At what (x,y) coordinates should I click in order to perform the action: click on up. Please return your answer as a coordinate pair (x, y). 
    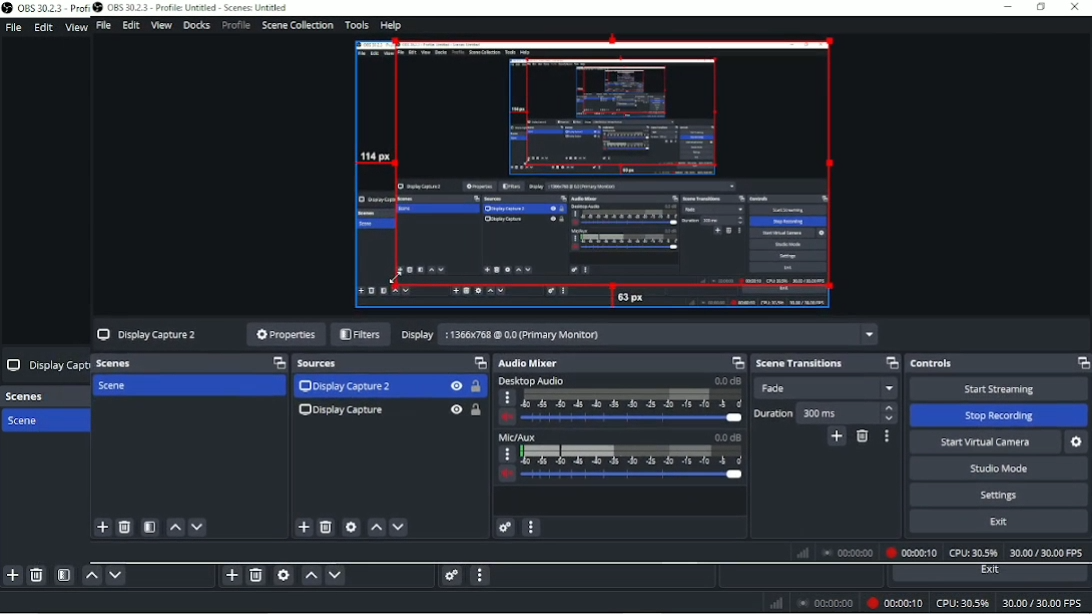
    Looking at the image, I should click on (176, 528).